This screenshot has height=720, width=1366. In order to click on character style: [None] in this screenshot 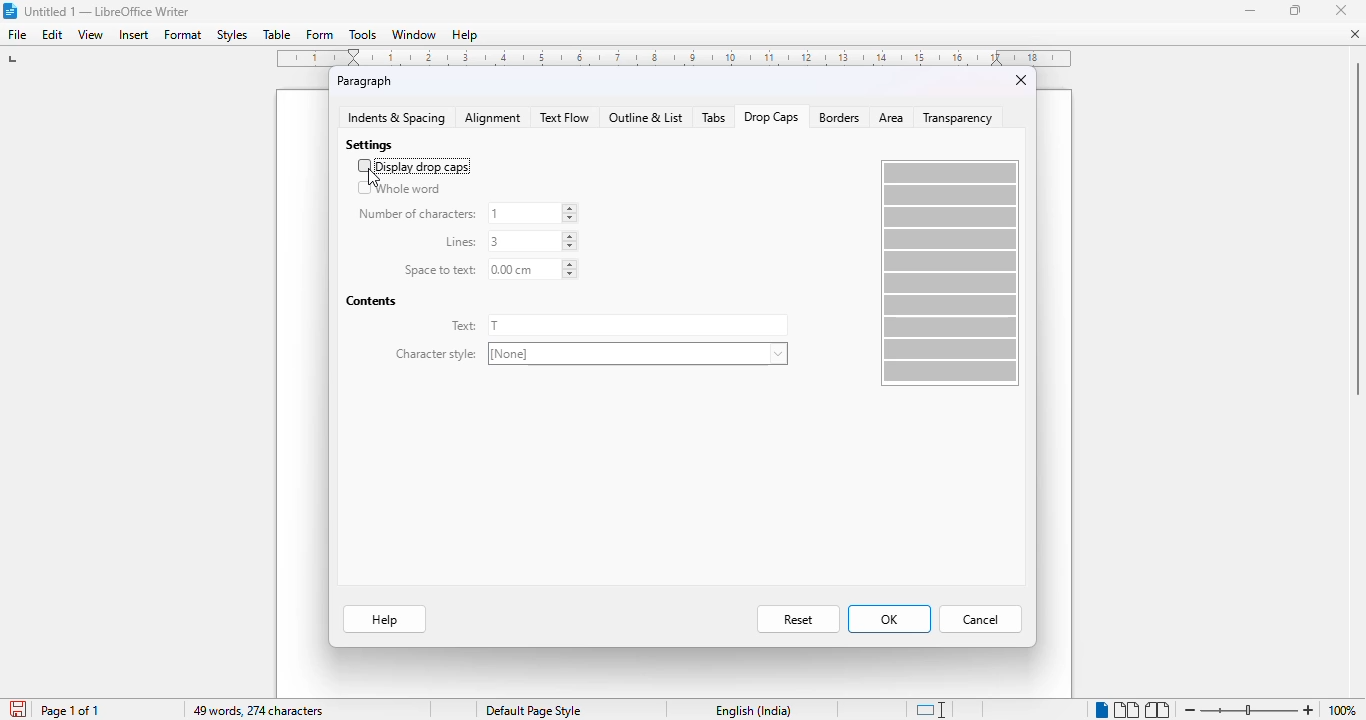, I will do `click(591, 353)`.